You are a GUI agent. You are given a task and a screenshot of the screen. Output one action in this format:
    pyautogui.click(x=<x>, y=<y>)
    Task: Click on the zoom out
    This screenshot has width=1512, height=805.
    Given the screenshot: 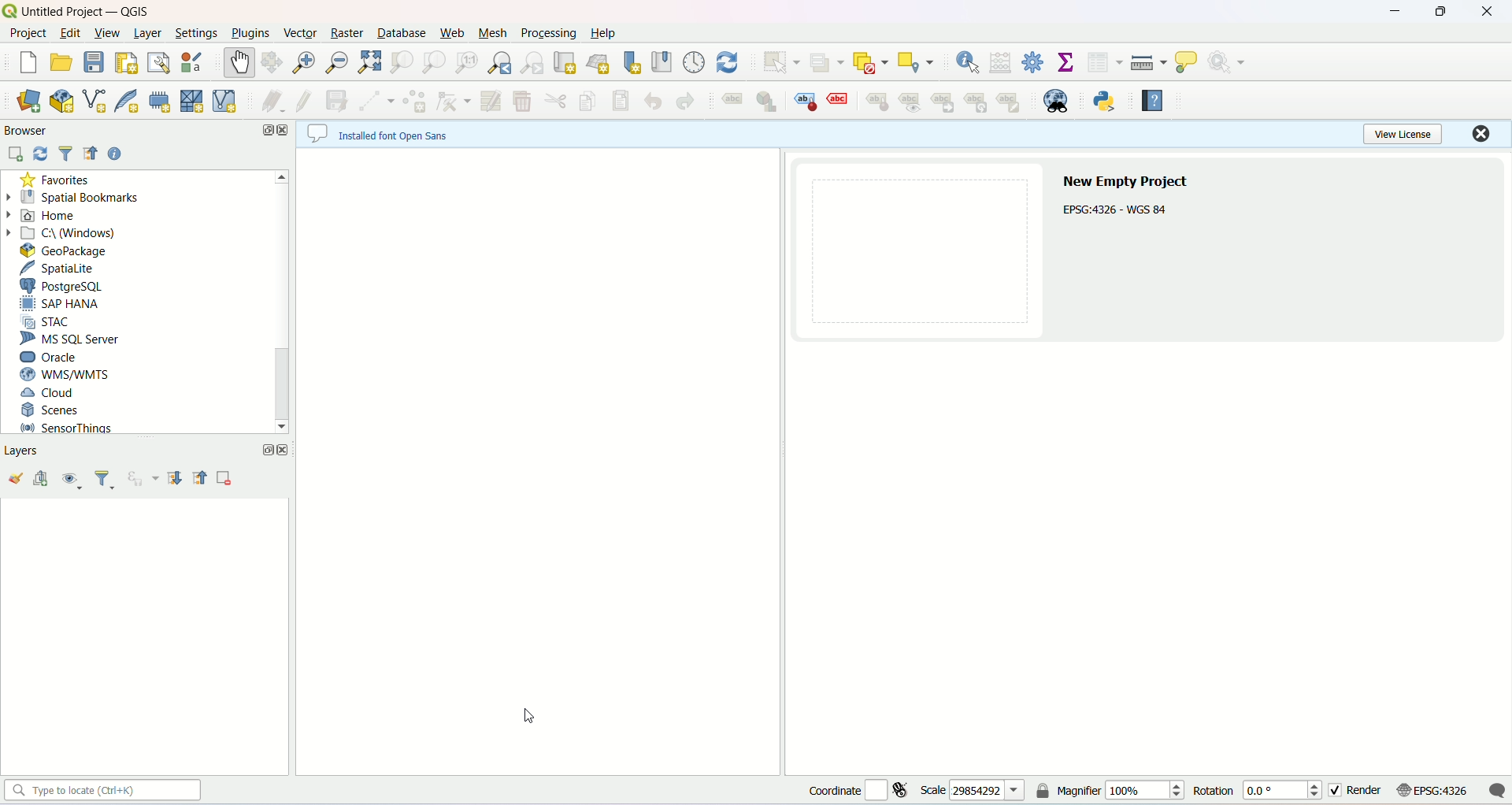 What is the action you would take?
    pyautogui.click(x=336, y=63)
    